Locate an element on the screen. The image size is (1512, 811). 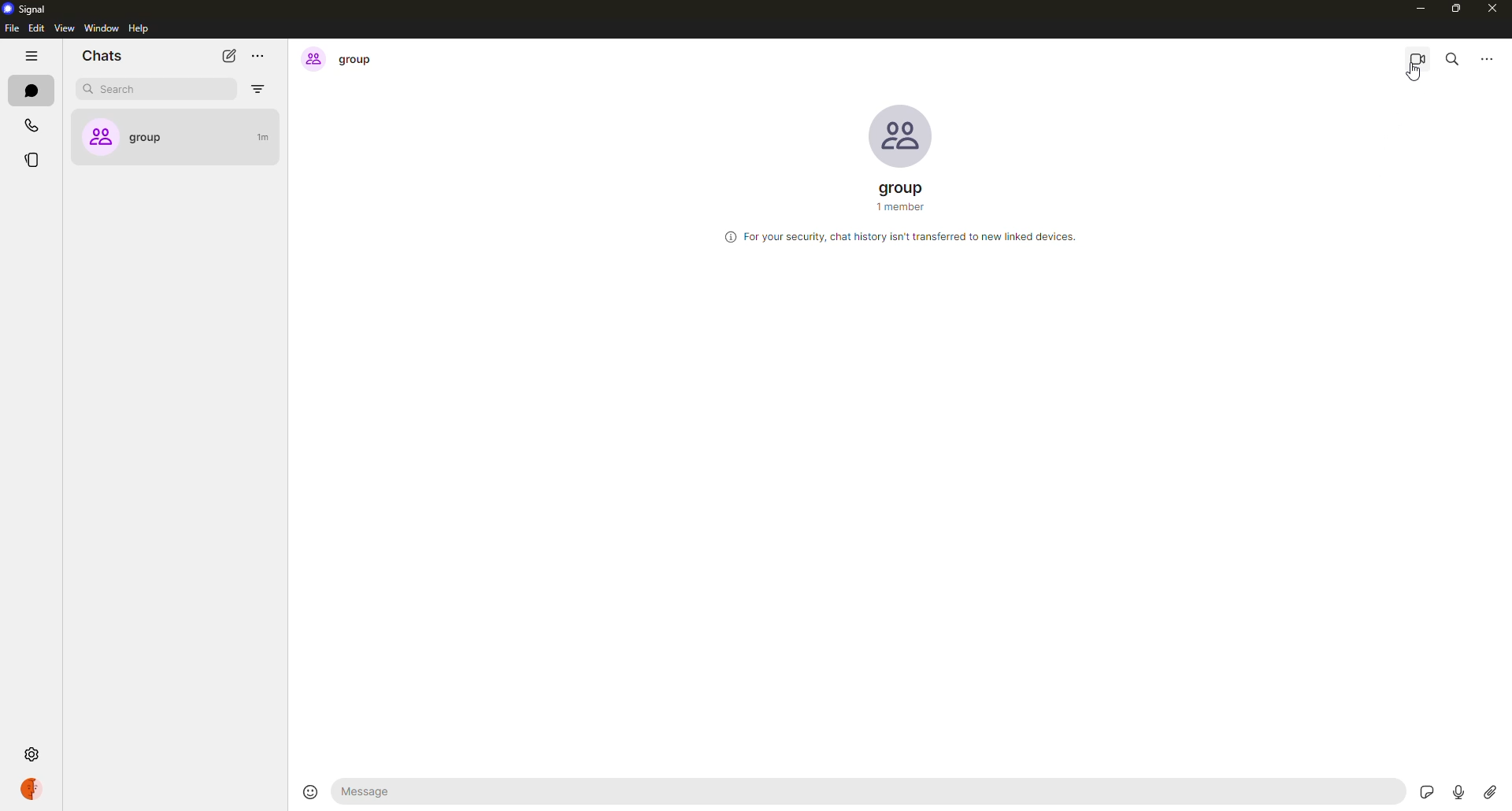
video call is located at coordinates (1417, 58).